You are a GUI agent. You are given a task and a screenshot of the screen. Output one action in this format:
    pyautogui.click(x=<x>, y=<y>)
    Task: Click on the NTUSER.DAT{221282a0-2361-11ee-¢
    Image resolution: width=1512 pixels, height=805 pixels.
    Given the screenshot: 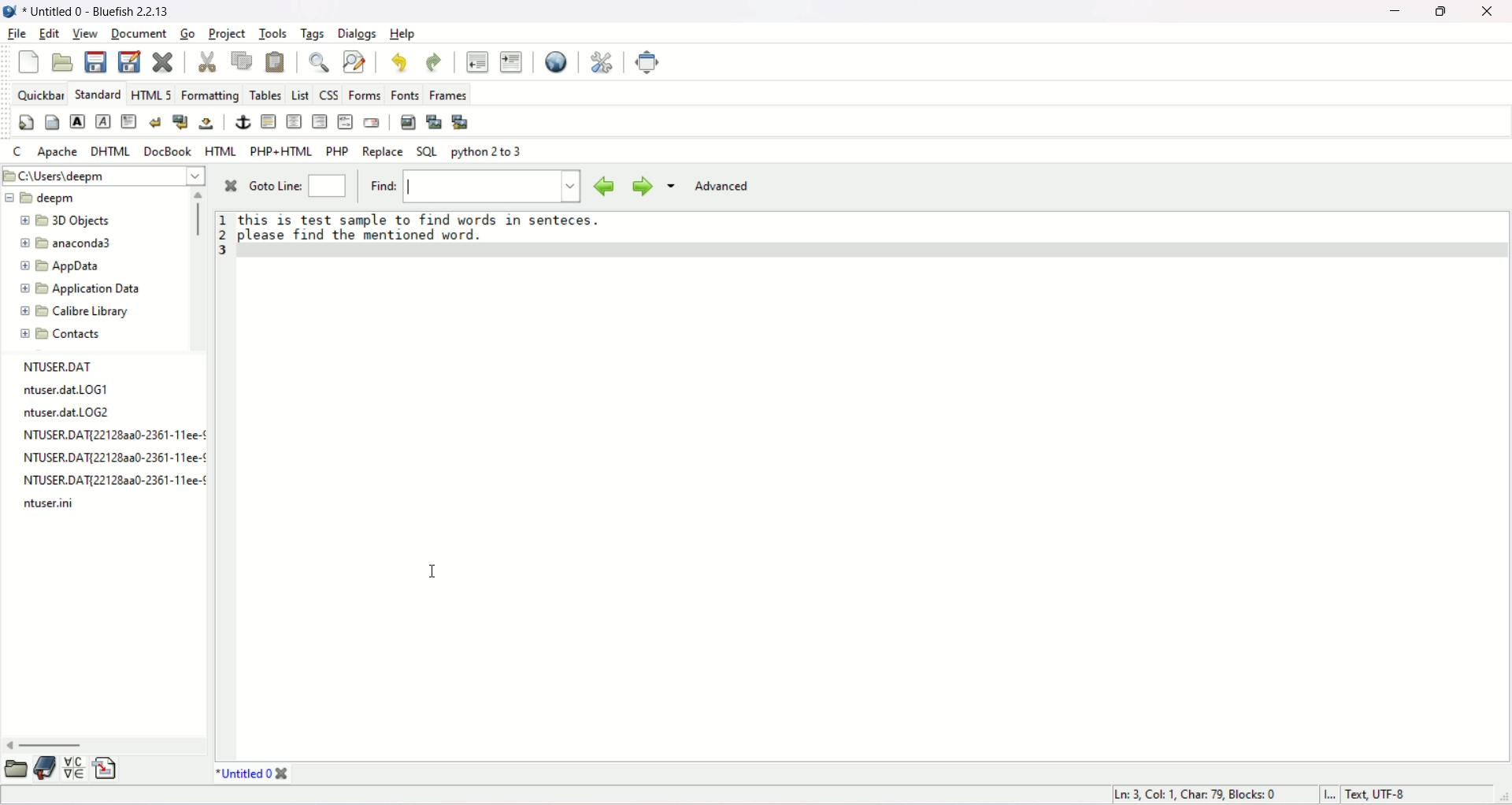 What is the action you would take?
    pyautogui.click(x=111, y=477)
    